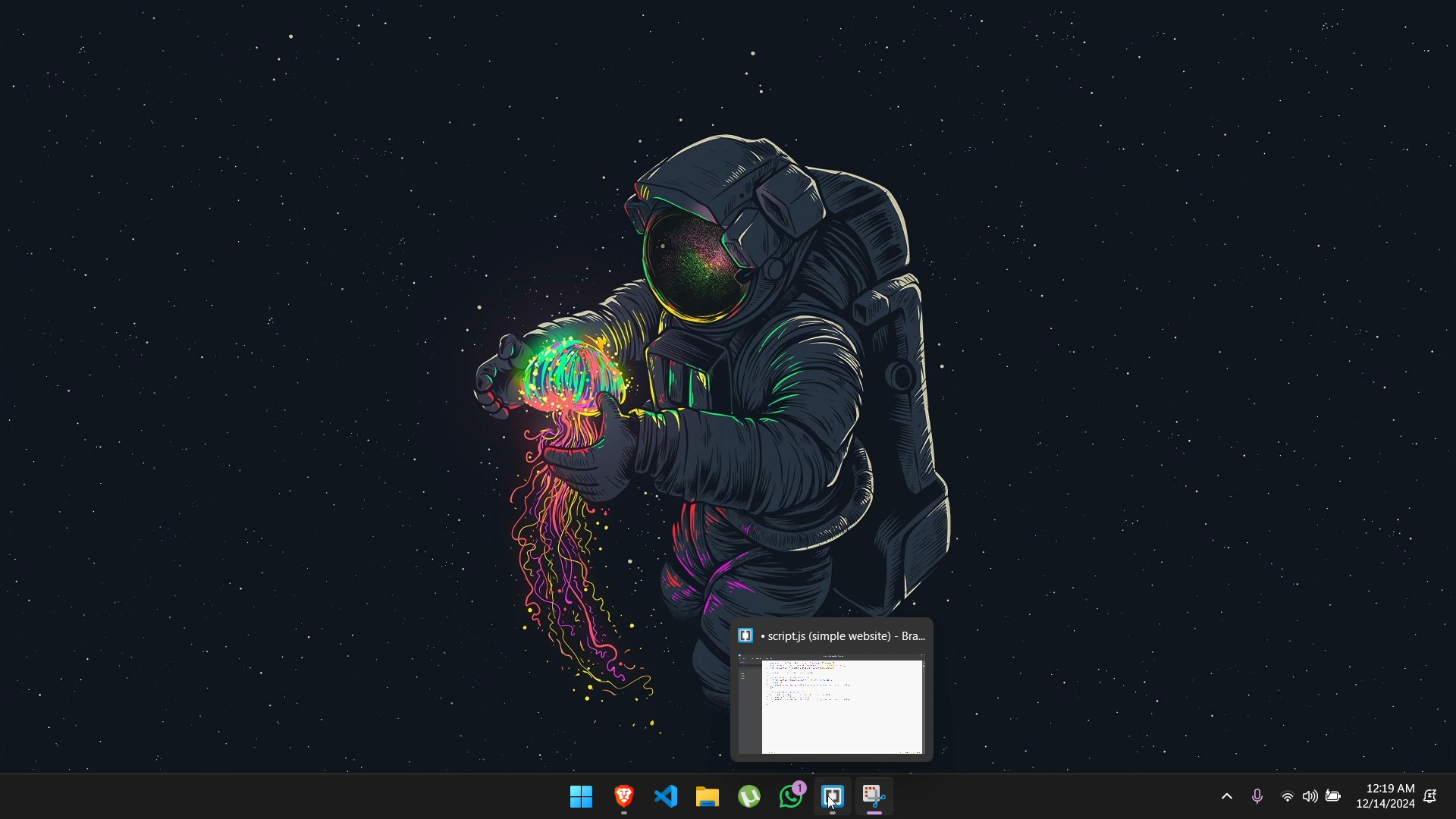 Image resolution: width=1456 pixels, height=819 pixels. Describe the element at coordinates (836, 689) in the screenshot. I see `hover application preview` at that location.